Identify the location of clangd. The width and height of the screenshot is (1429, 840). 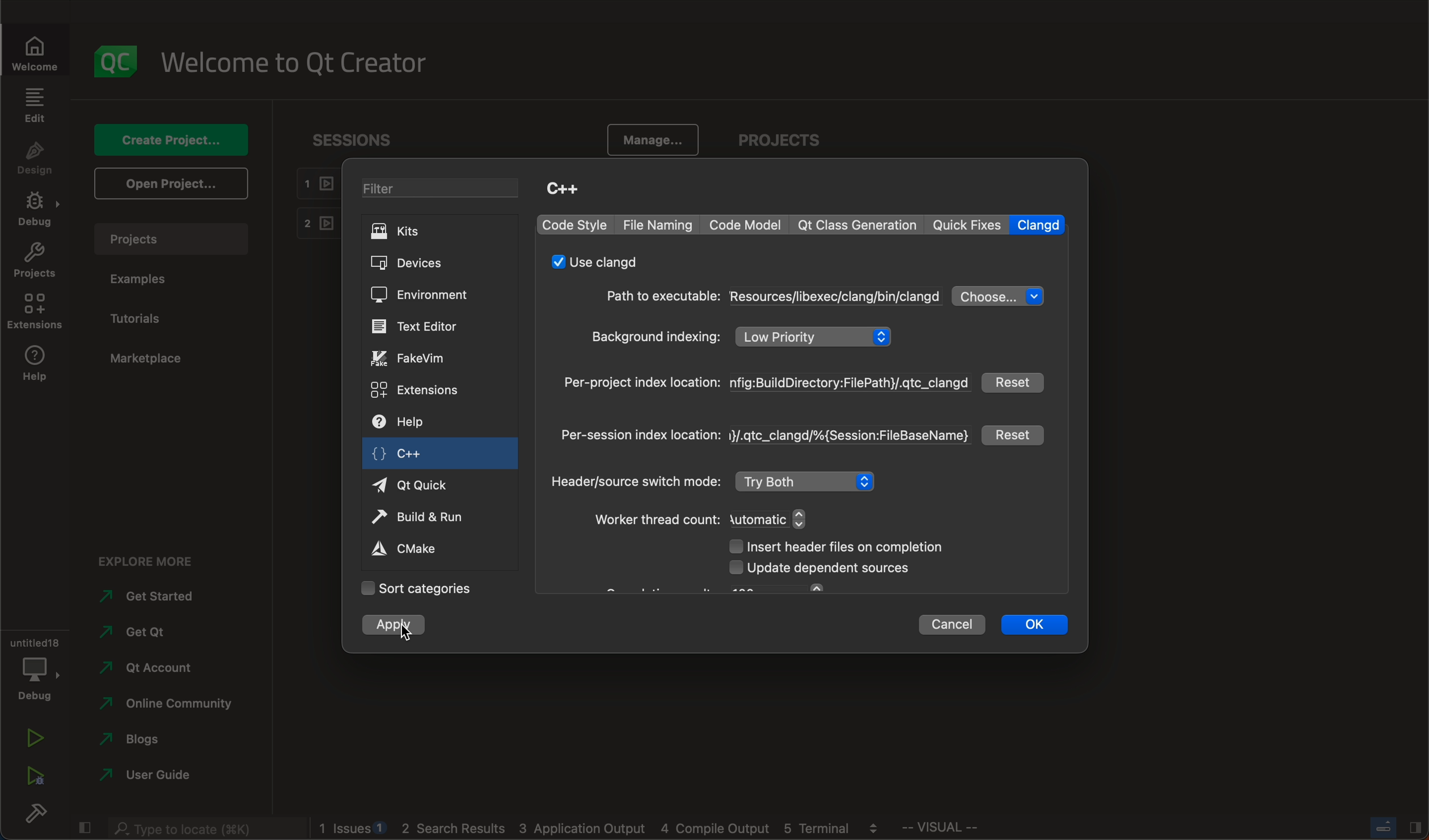
(1038, 224).